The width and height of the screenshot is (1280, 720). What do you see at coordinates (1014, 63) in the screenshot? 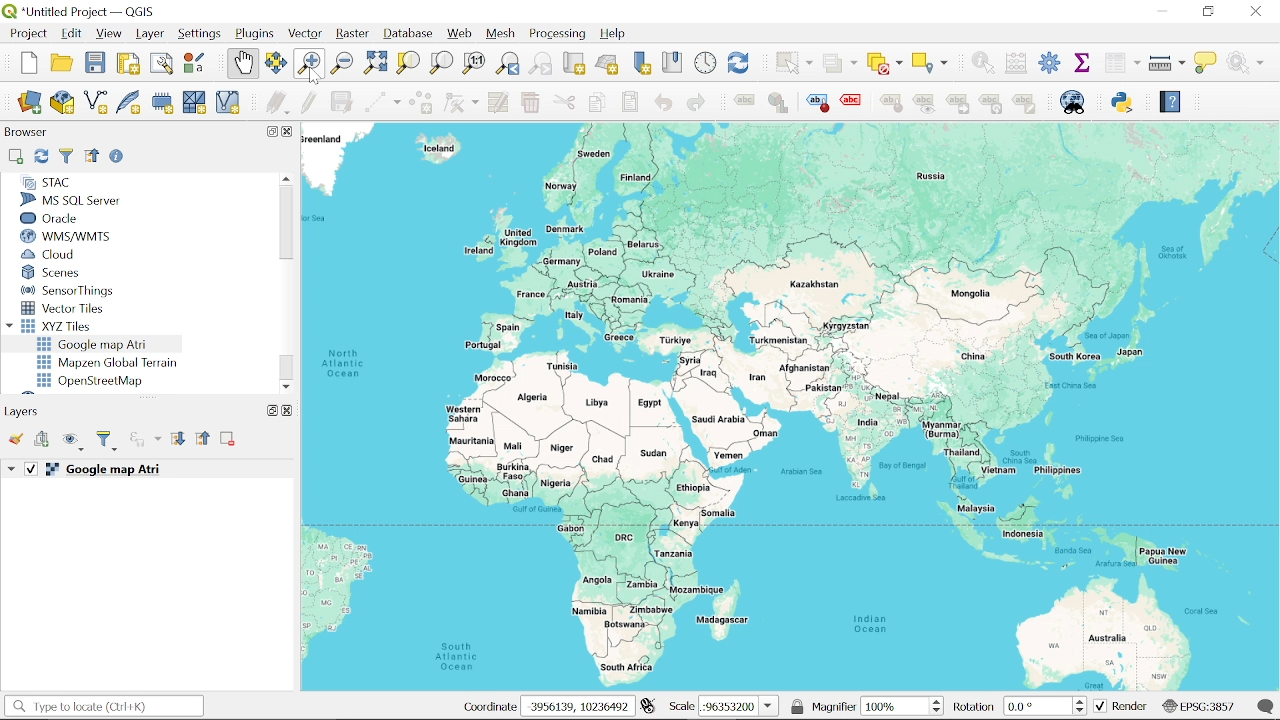
I see `Open field calculator` at bounding box center [1014, 63].